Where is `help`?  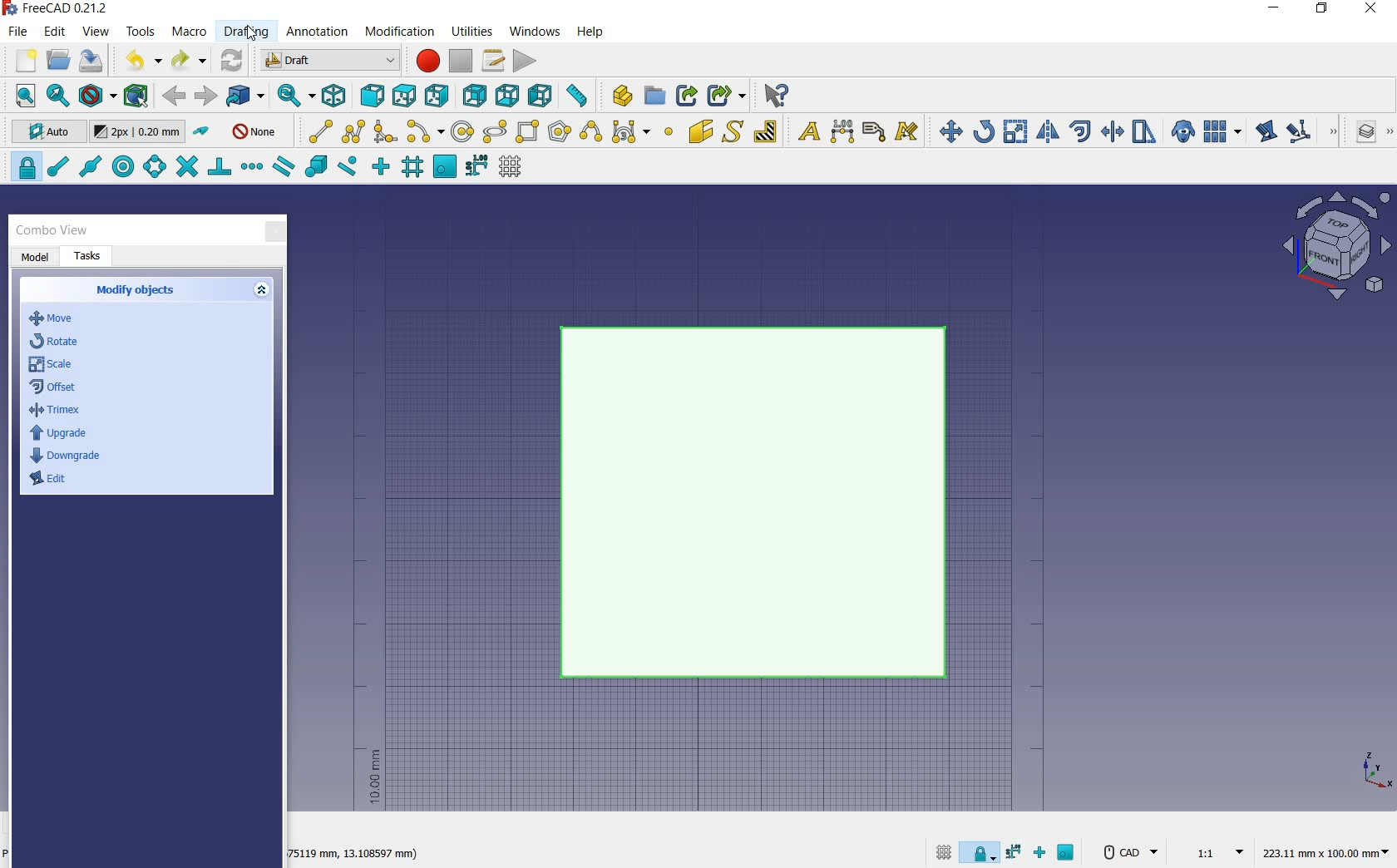
help is located at coordinates (590, 32).